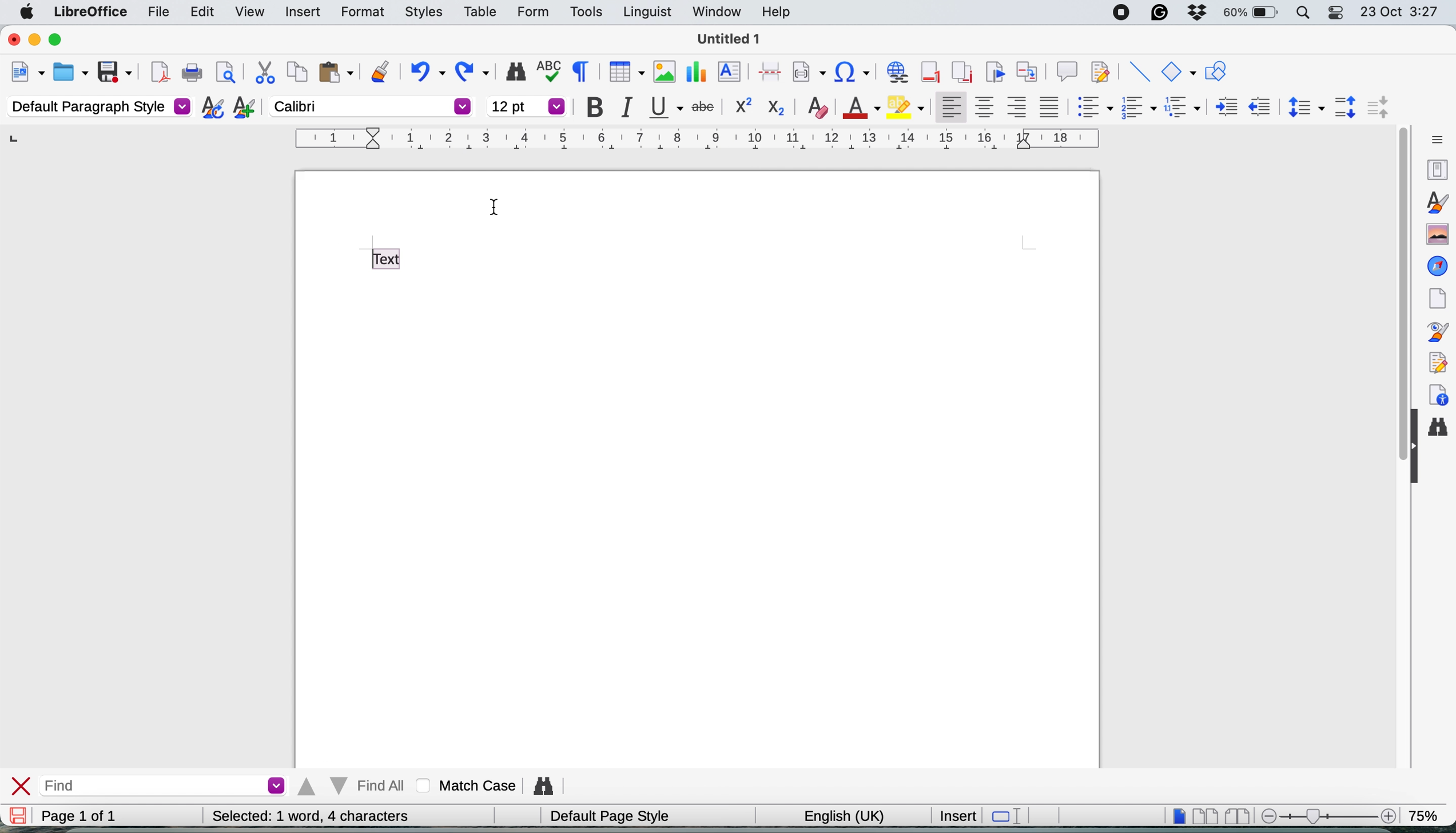 The image size is (1456, 833). What do you see at coordinates (744, 107) in the screenshot?
I see `superscrpit` at bounding box center [744, 107].